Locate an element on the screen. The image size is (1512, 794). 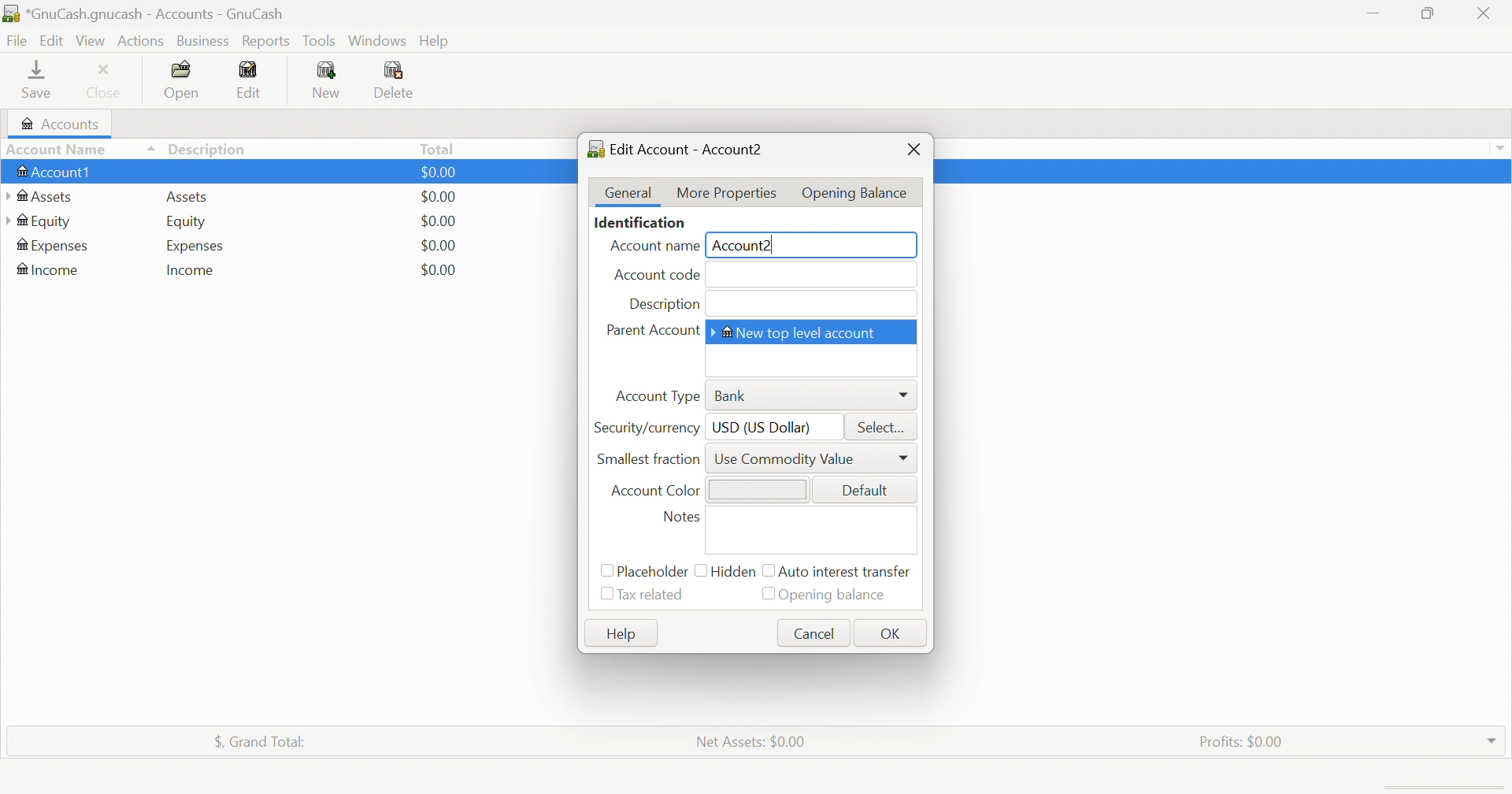
Hidden is located at coordinates (725, 570).